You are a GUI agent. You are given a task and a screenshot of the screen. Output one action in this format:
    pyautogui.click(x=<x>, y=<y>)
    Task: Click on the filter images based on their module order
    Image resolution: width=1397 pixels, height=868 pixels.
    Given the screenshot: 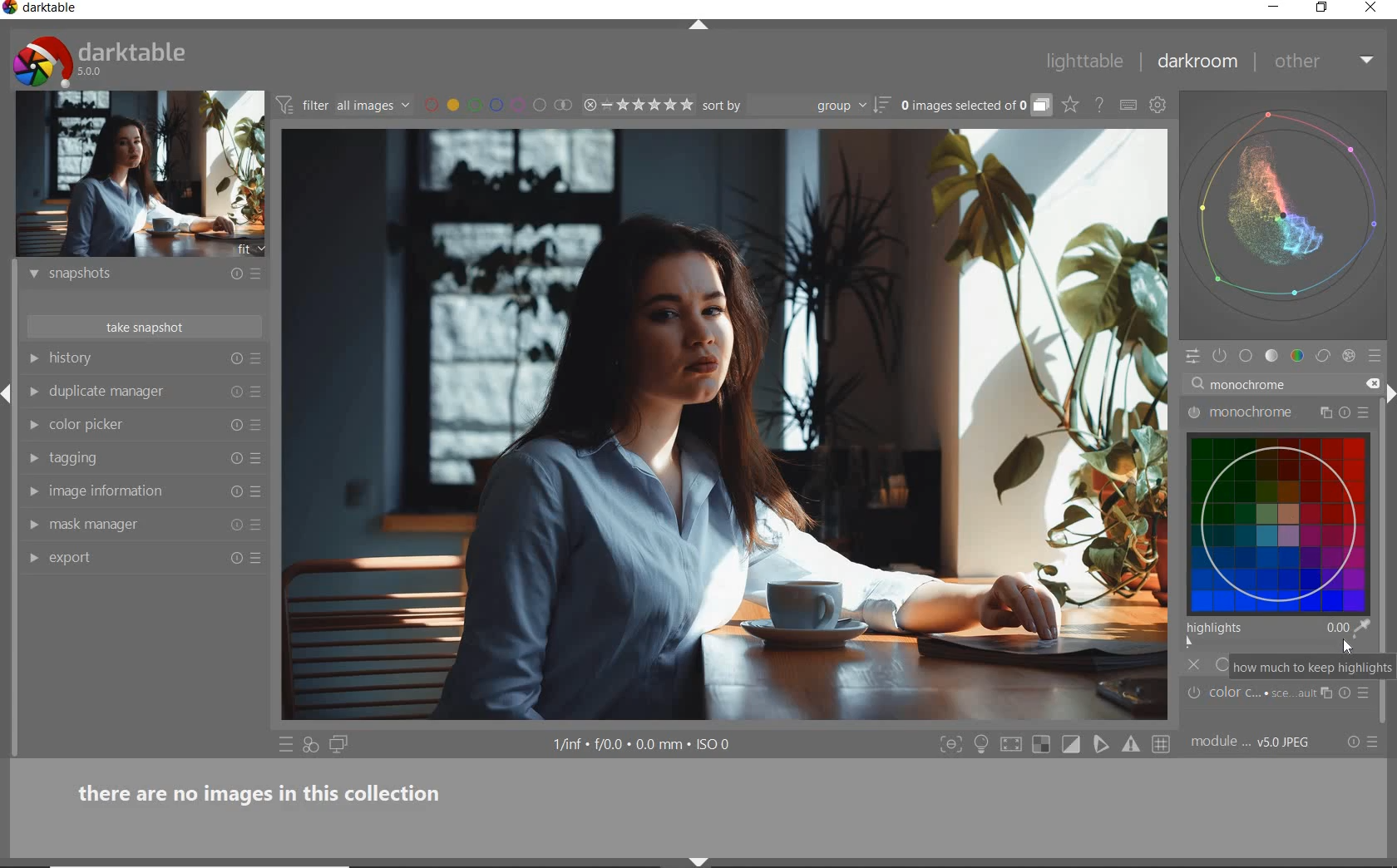 What is the action you would take?
    pyautogui.click(x=344, y=107)
    